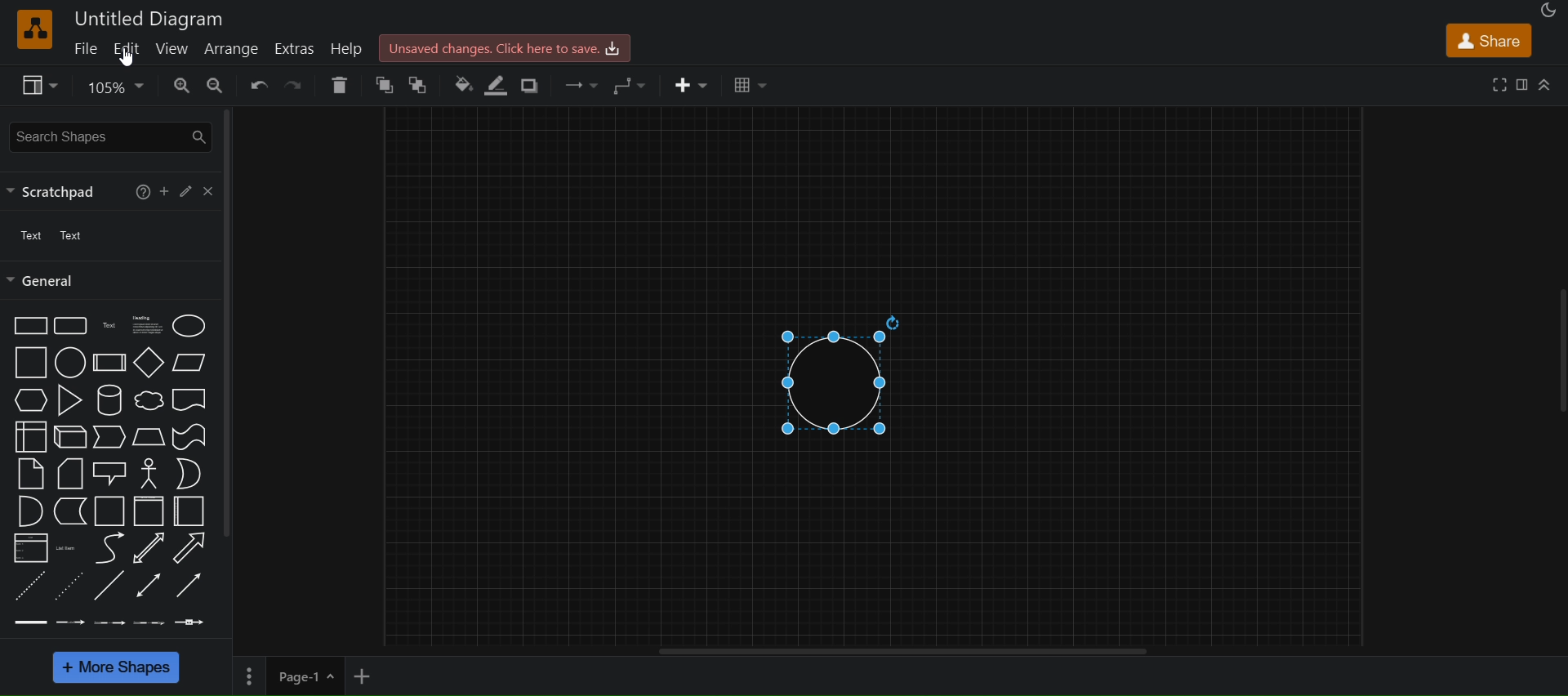 The height and width of the screenshot is (696, 1568). I want to click on and, so click(28, 511).